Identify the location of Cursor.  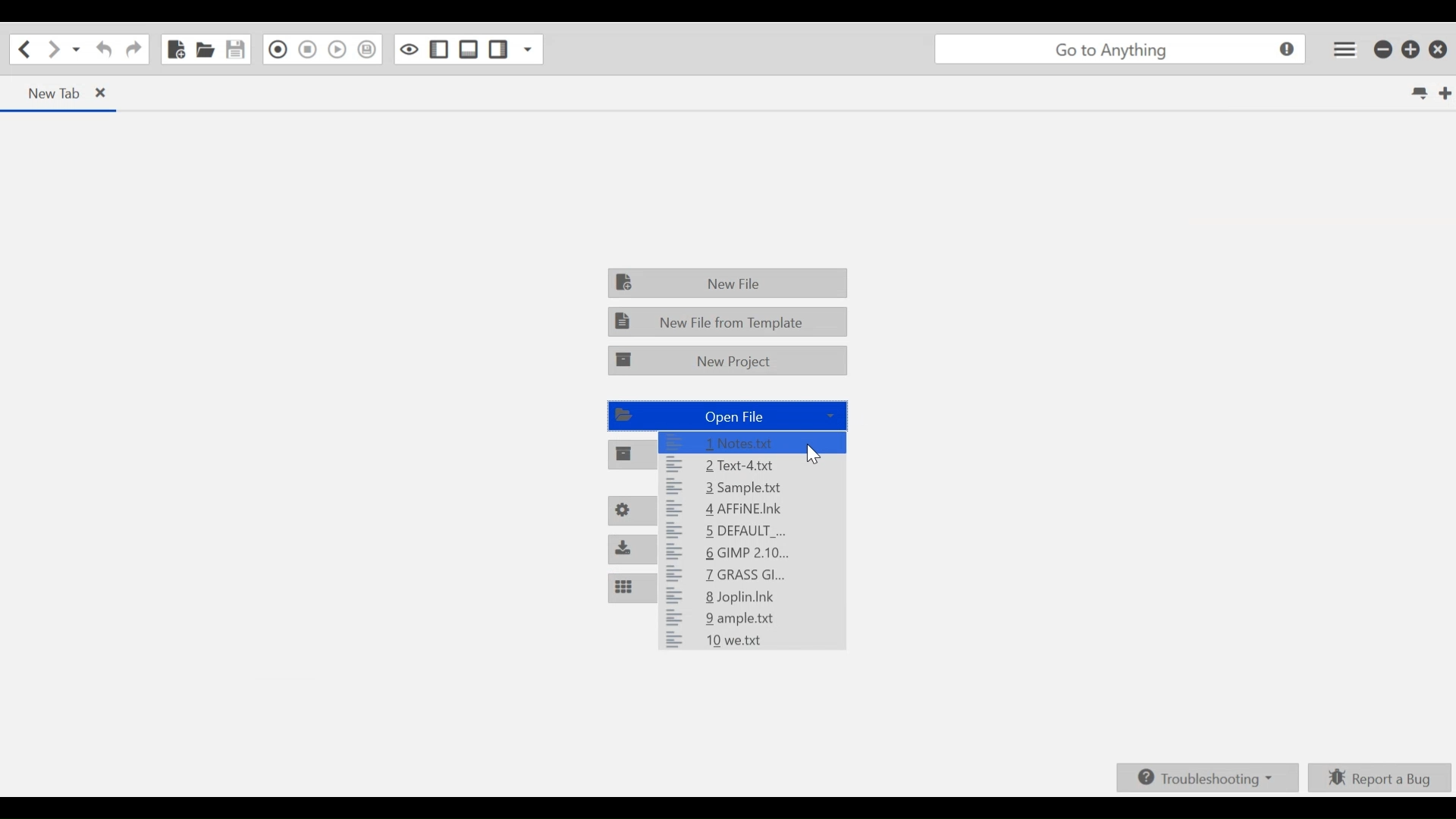
(815, 456).